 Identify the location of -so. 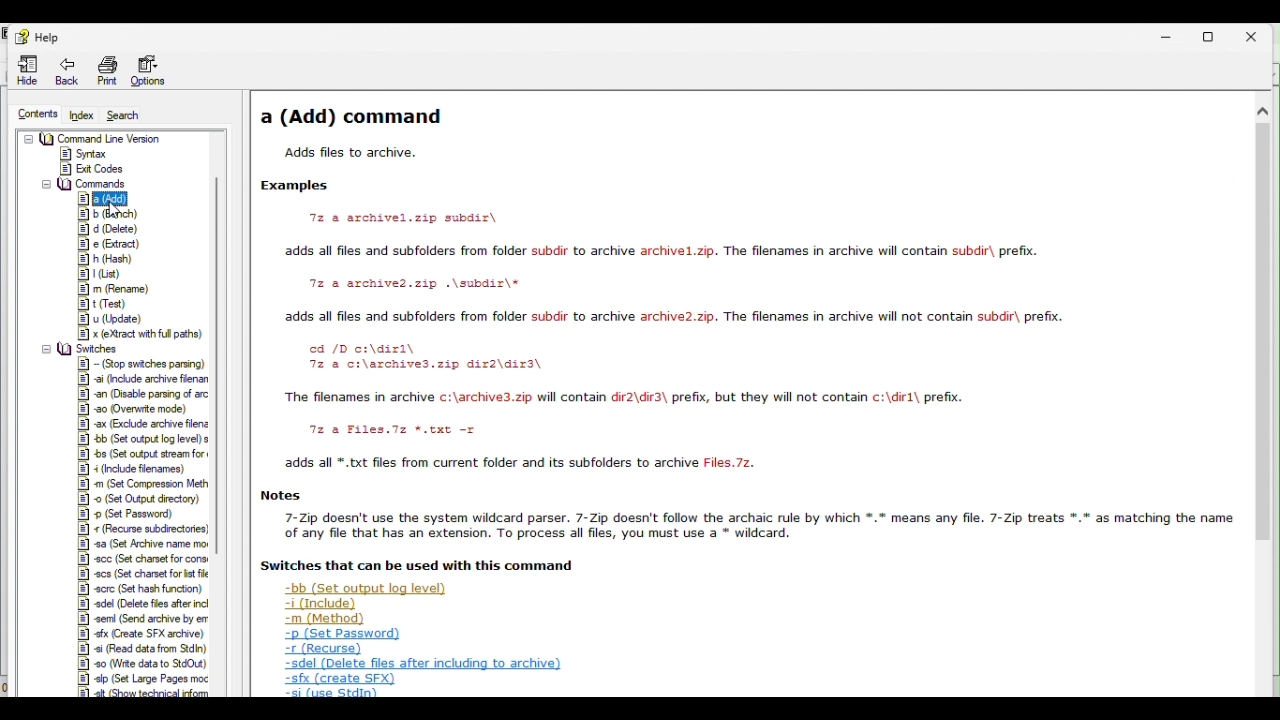
(148, 663).